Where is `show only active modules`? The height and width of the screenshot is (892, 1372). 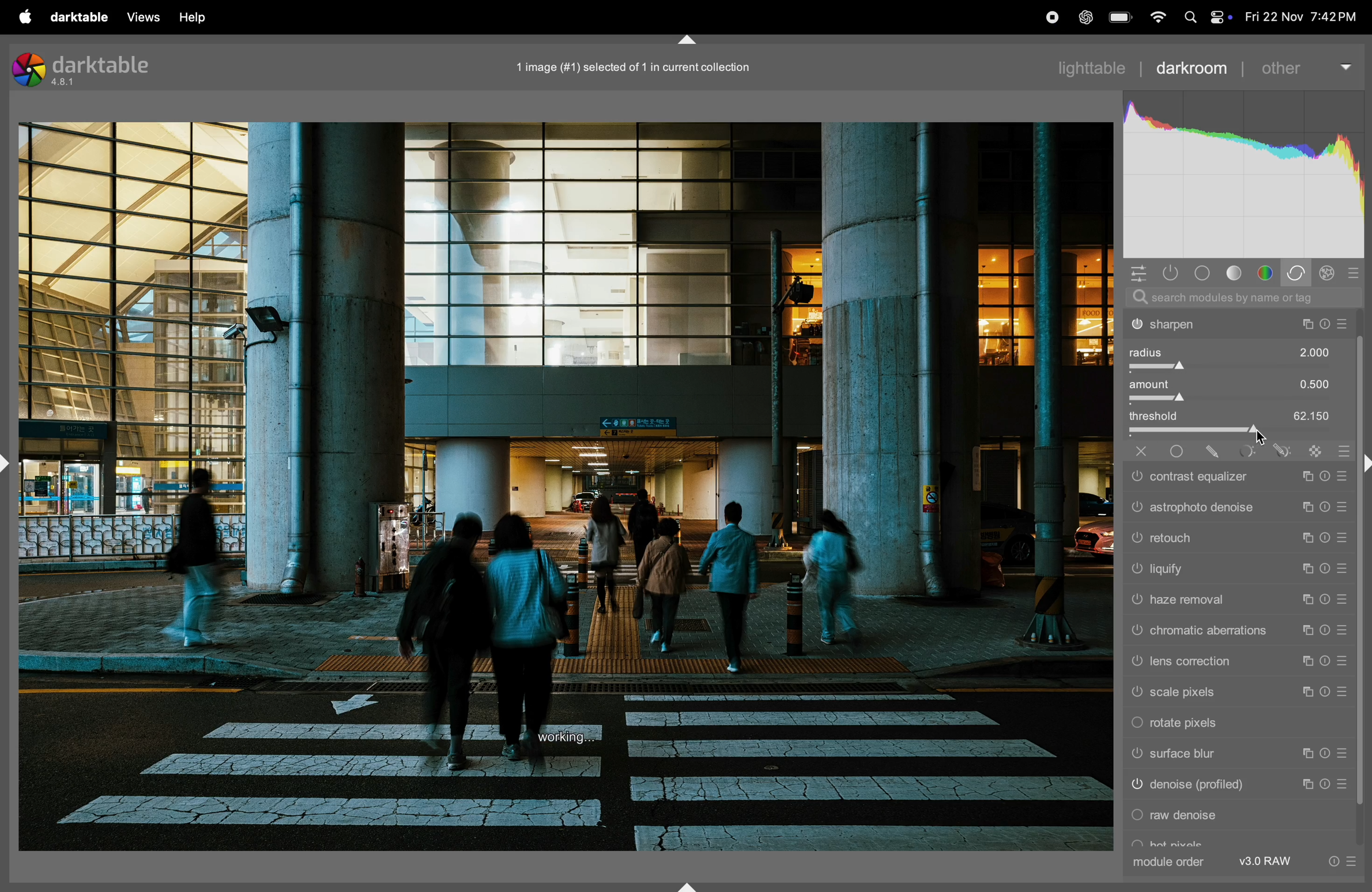 show only active modules is located at coordinates (1171, 273).